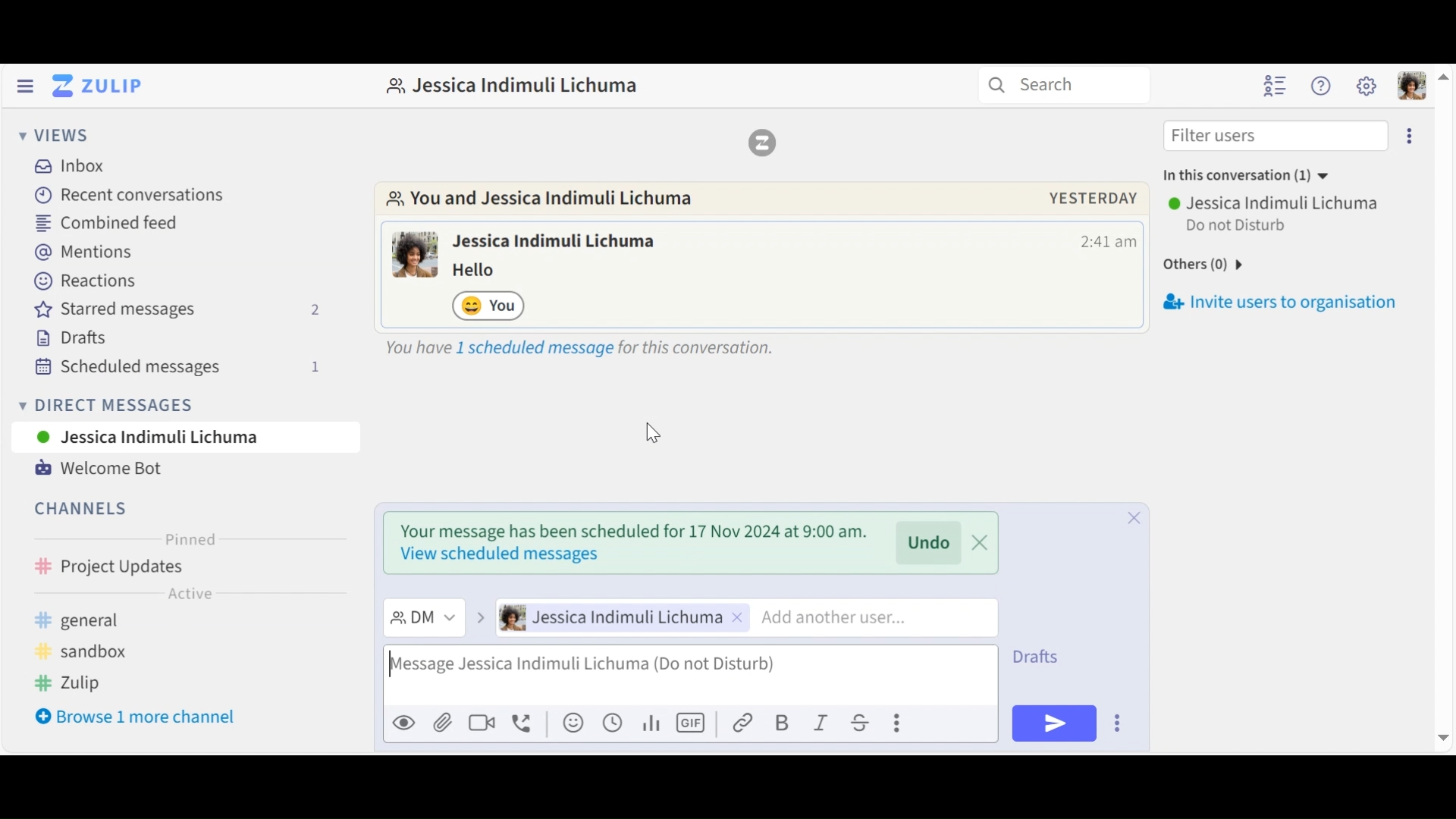  Describe the element at coordinates (1260, 177) in the screenshot. I see `in this conversation(1)` at that location.